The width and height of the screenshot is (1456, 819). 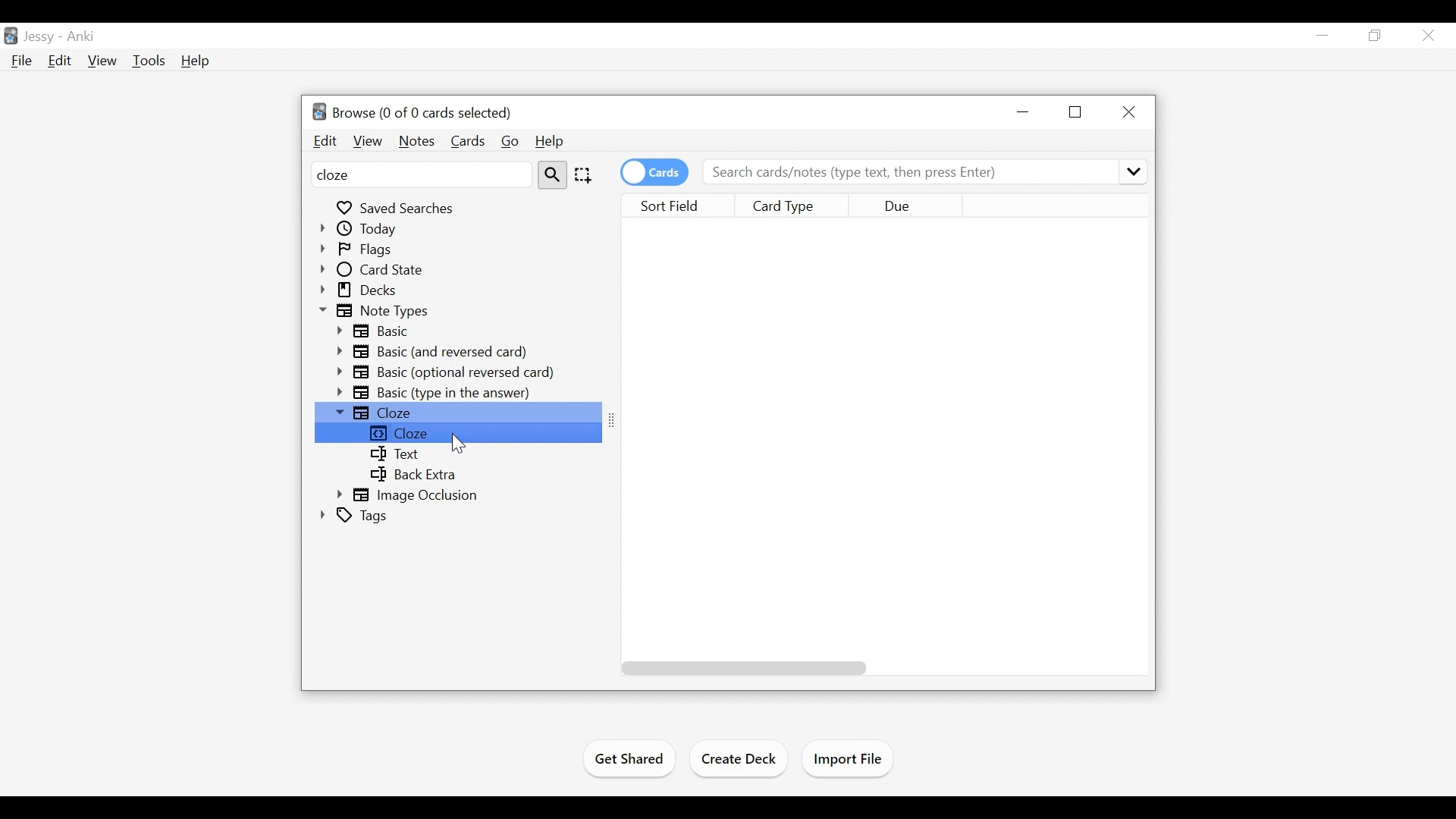 What do you see at coordinates (381, 270) in the screenshot?
I see `Card State` at bounding box center [381, 270].